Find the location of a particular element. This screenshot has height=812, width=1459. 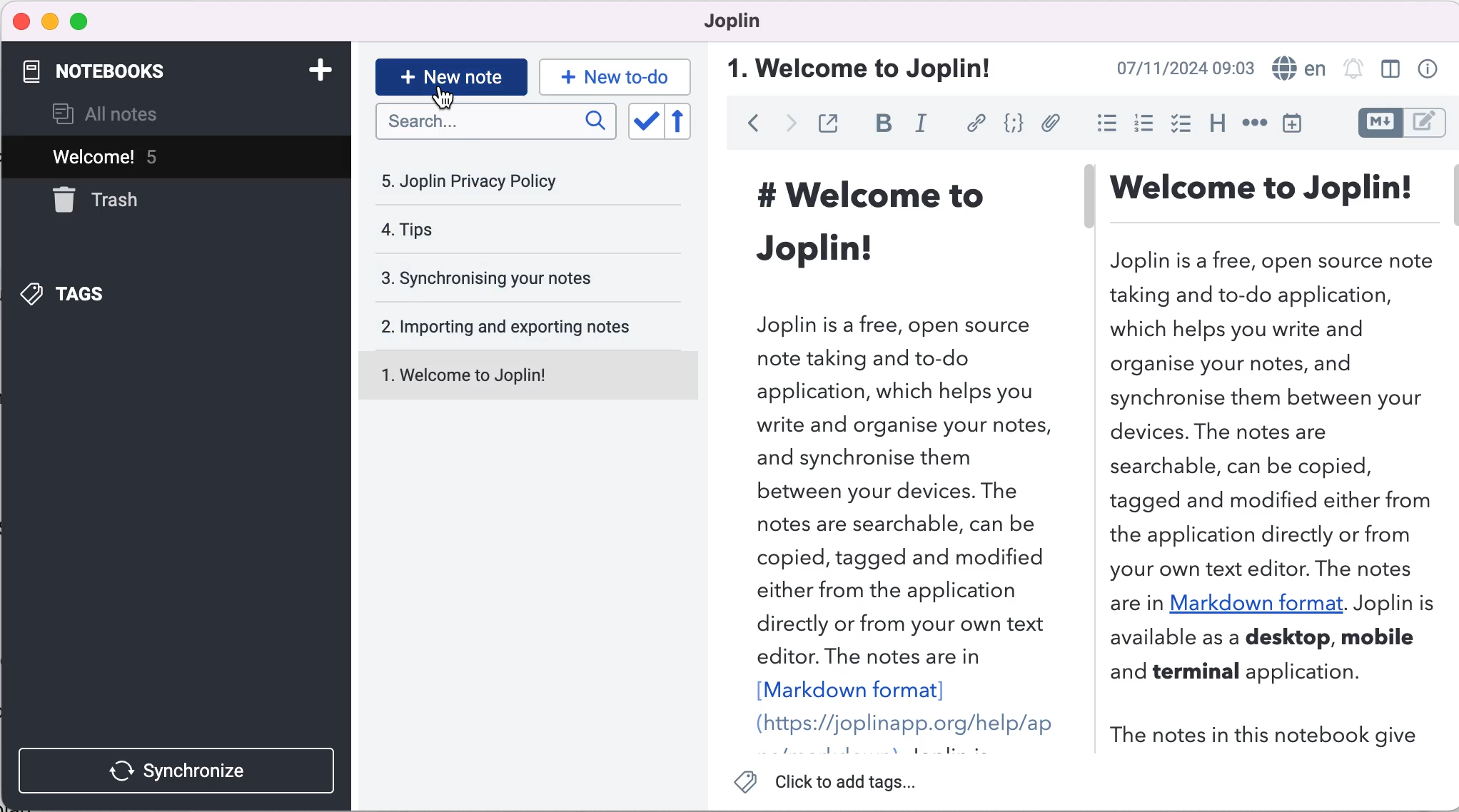

toggle editor is located at coordinates (1403, 122).